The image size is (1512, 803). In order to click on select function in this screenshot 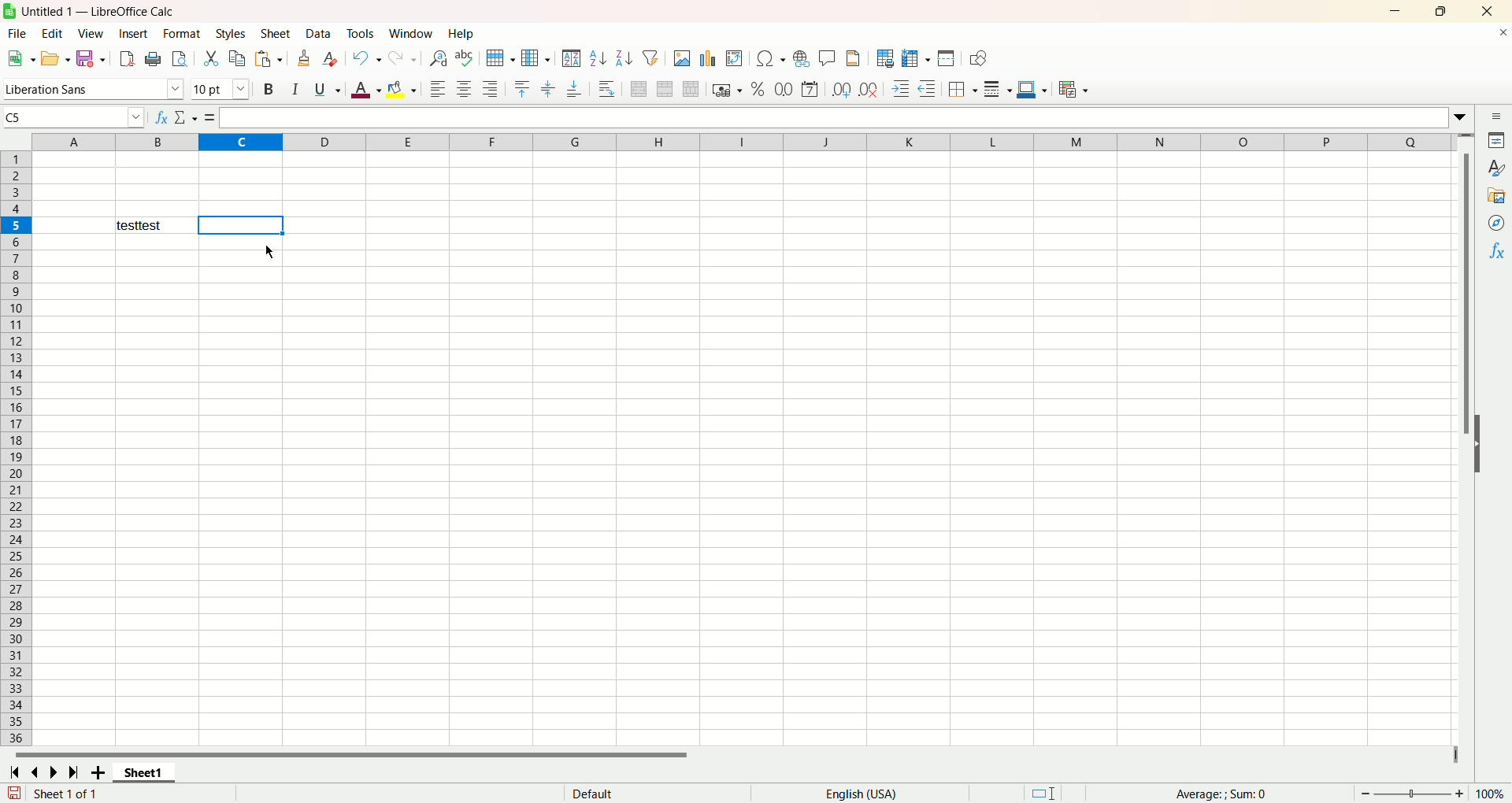, I will do `click(187, 117)`.